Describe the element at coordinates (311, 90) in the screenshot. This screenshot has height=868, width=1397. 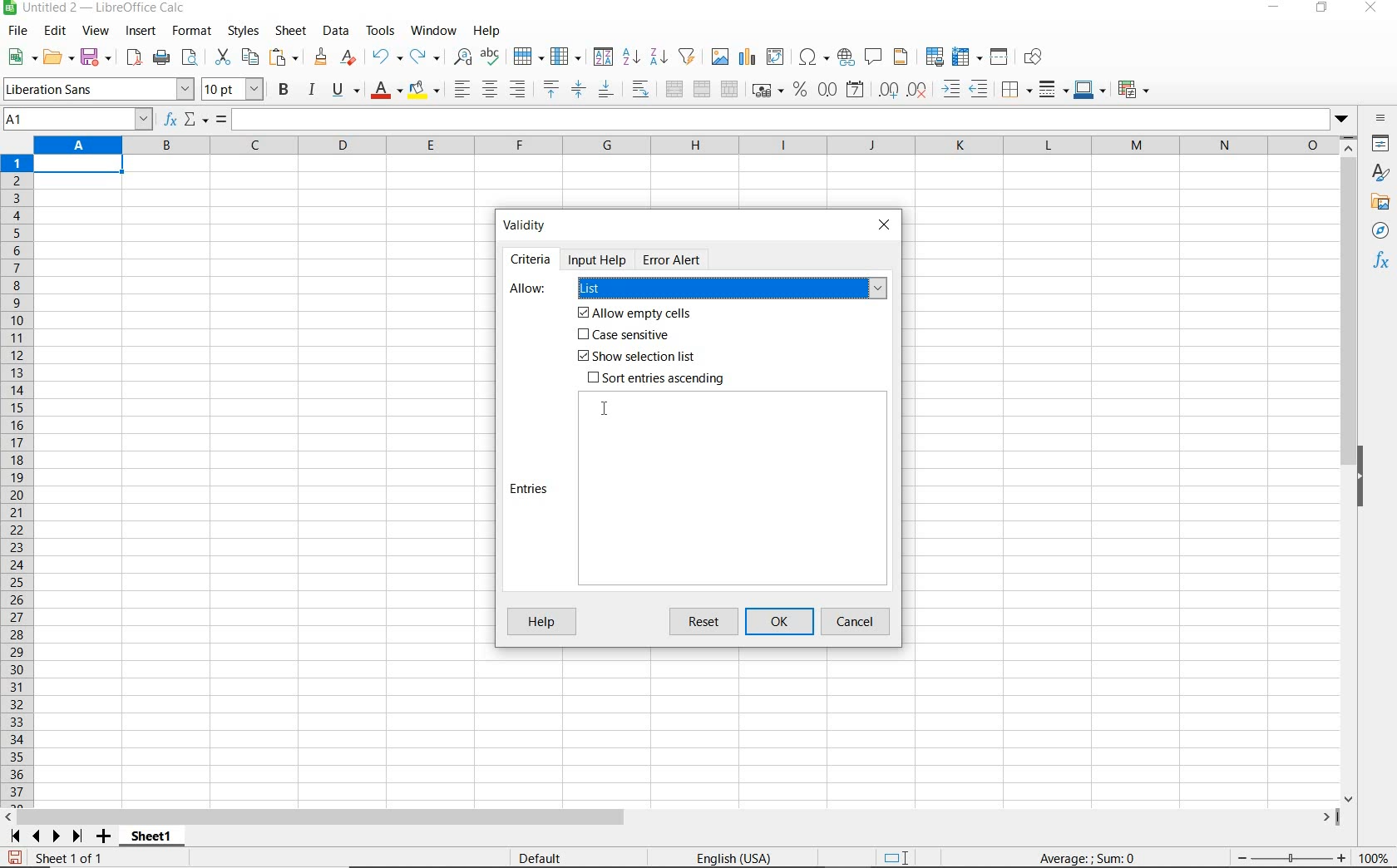
I see `italic` at that location.